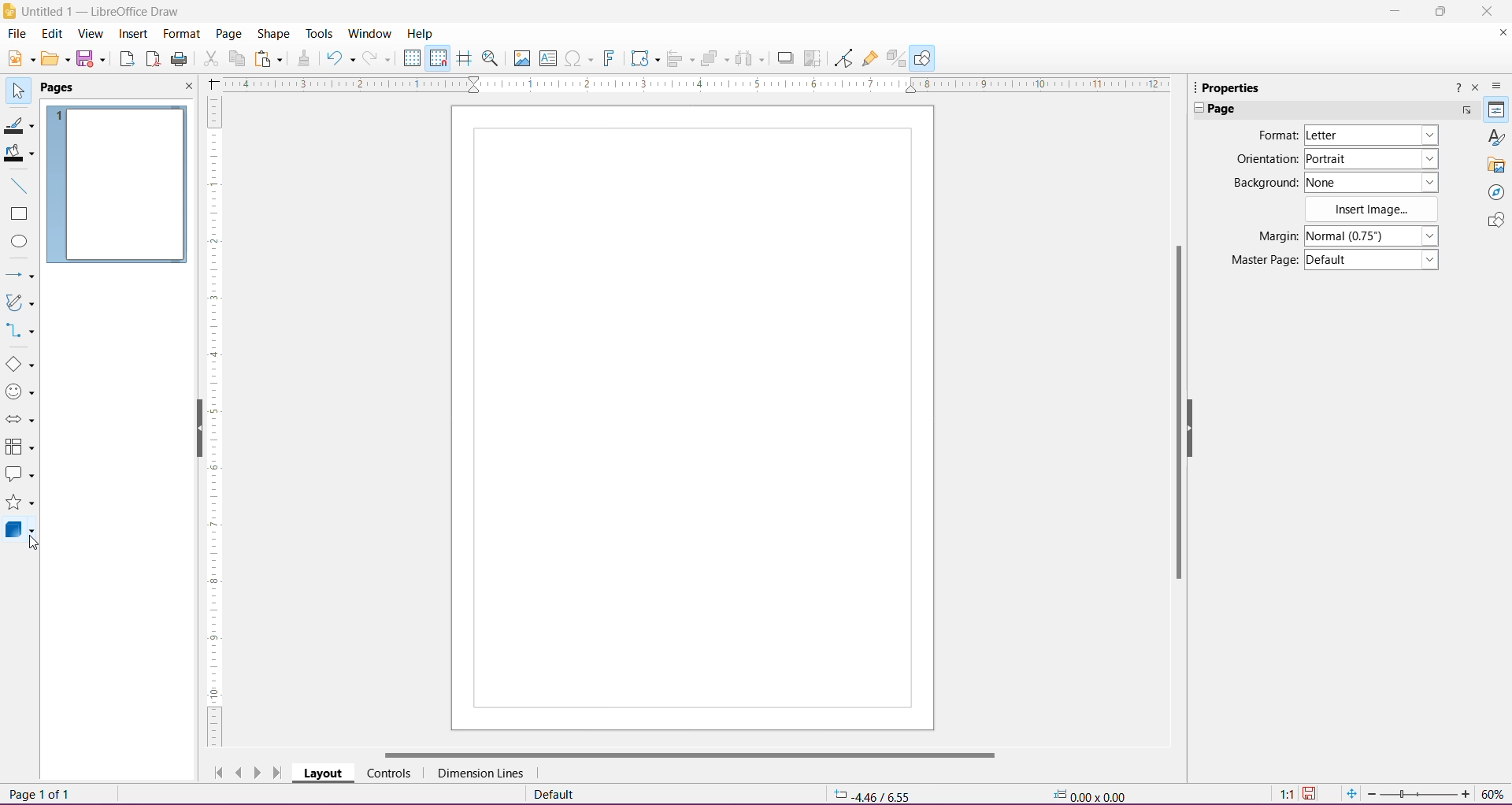 Image resolution: width=1512 pixels, height=805 pixels. Describe the element at coordinates (215, 769) in the screenshot. I see `Scroll to first page` at that location.